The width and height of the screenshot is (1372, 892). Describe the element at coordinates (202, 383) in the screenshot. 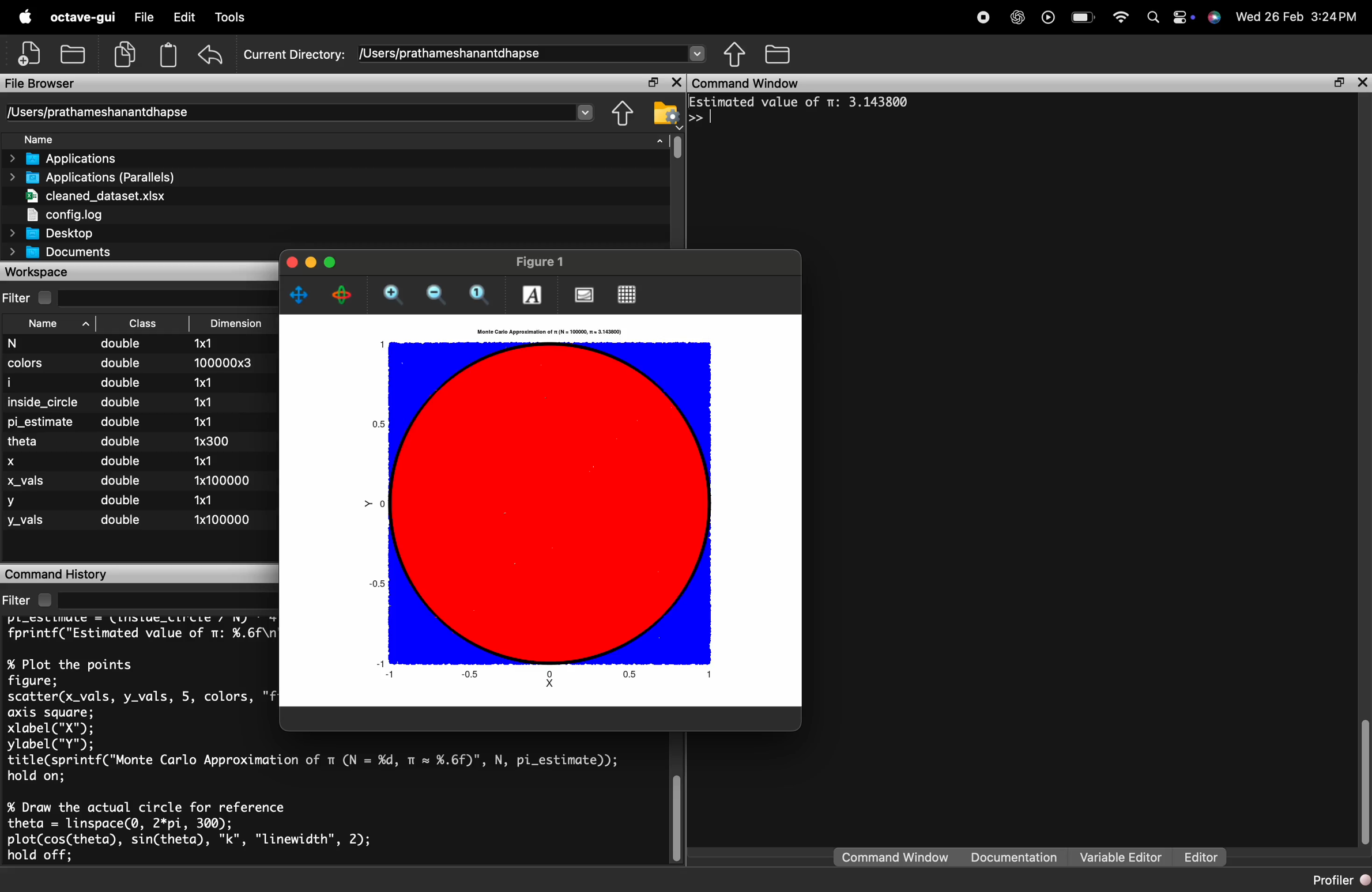

I see `1x1` at that location.